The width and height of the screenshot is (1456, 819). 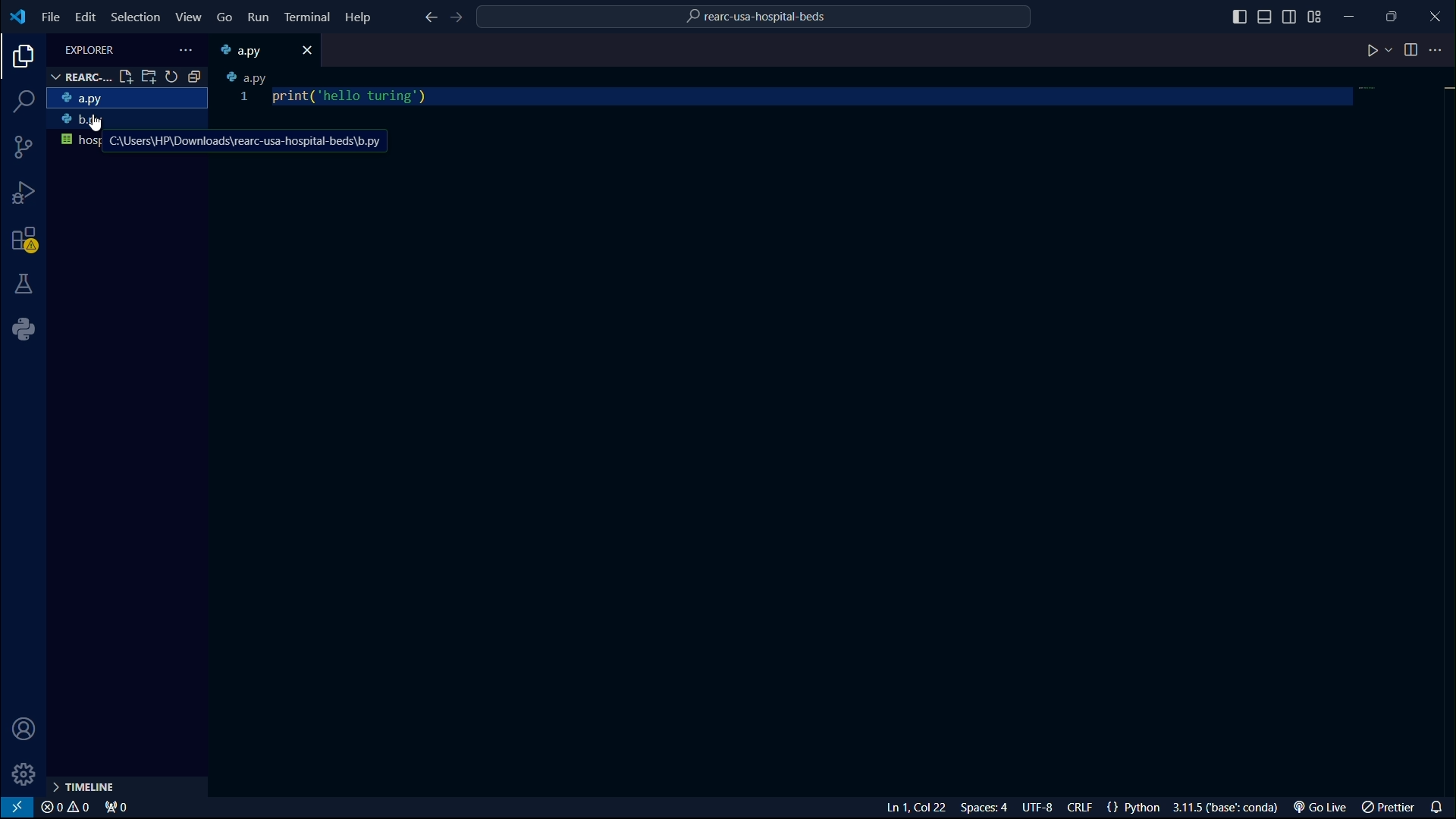 What do you see at coordinates (84, 16) in the screenshot?
I see `edit menu` at bounding box center [84, 16].